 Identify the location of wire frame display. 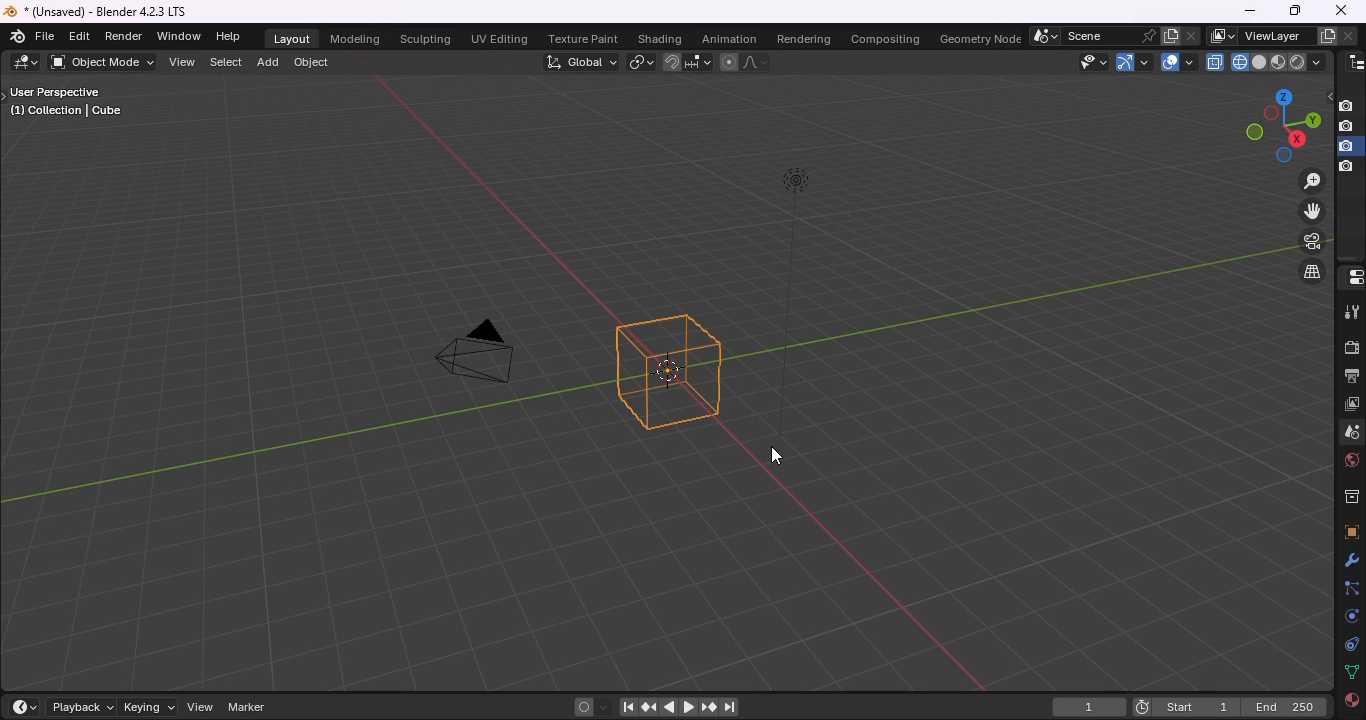
(1240, 62).